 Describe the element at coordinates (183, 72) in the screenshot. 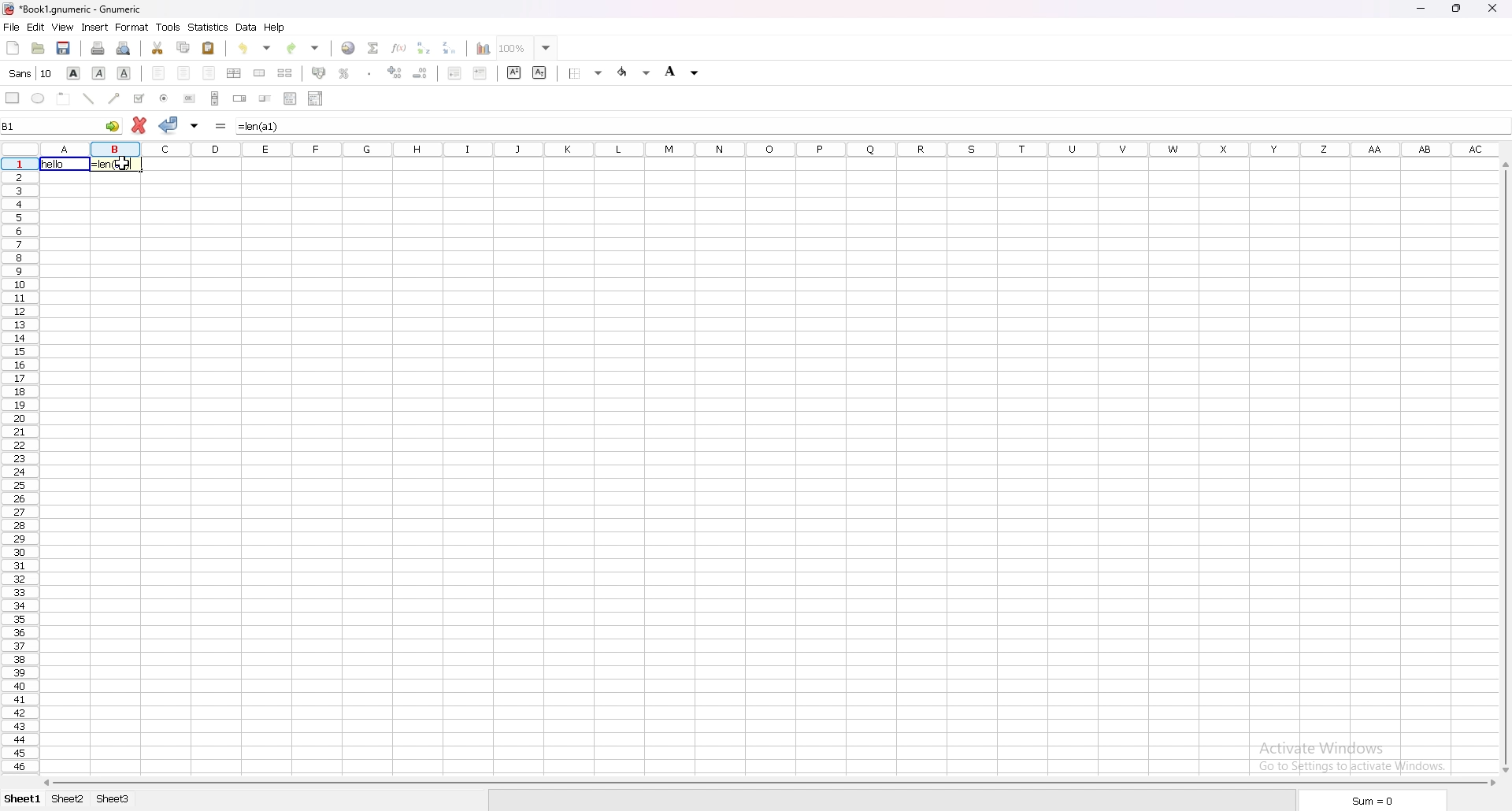

I see `center` at that location.